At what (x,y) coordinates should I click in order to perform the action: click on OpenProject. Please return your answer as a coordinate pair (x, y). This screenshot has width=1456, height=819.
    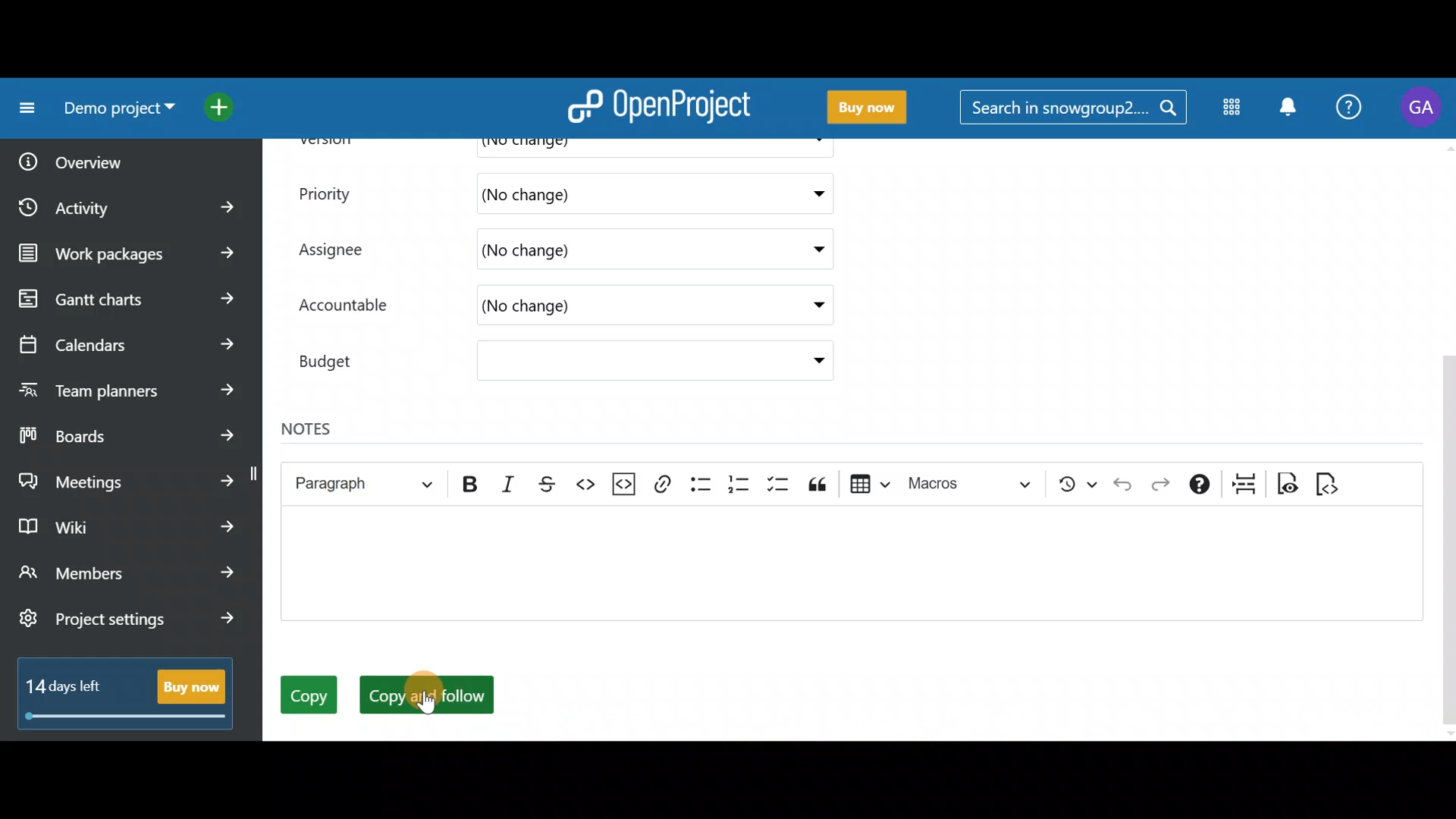
    Looking at the image, I should click on (656, 103).